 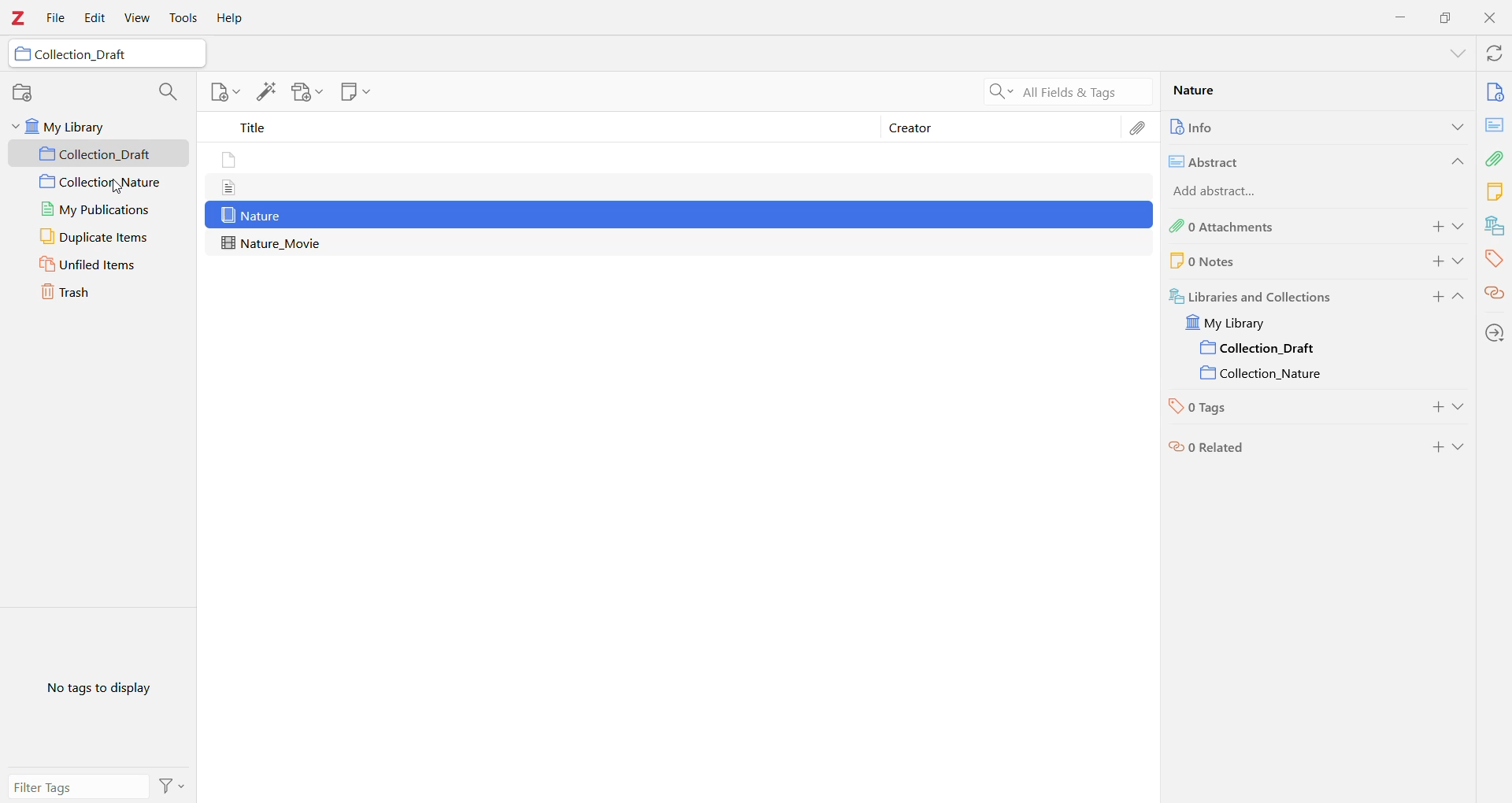 What do you see at coordinates (1262, 371) in the screenshot?
I see `Collection_nature` at bounding box center [1262, 371].